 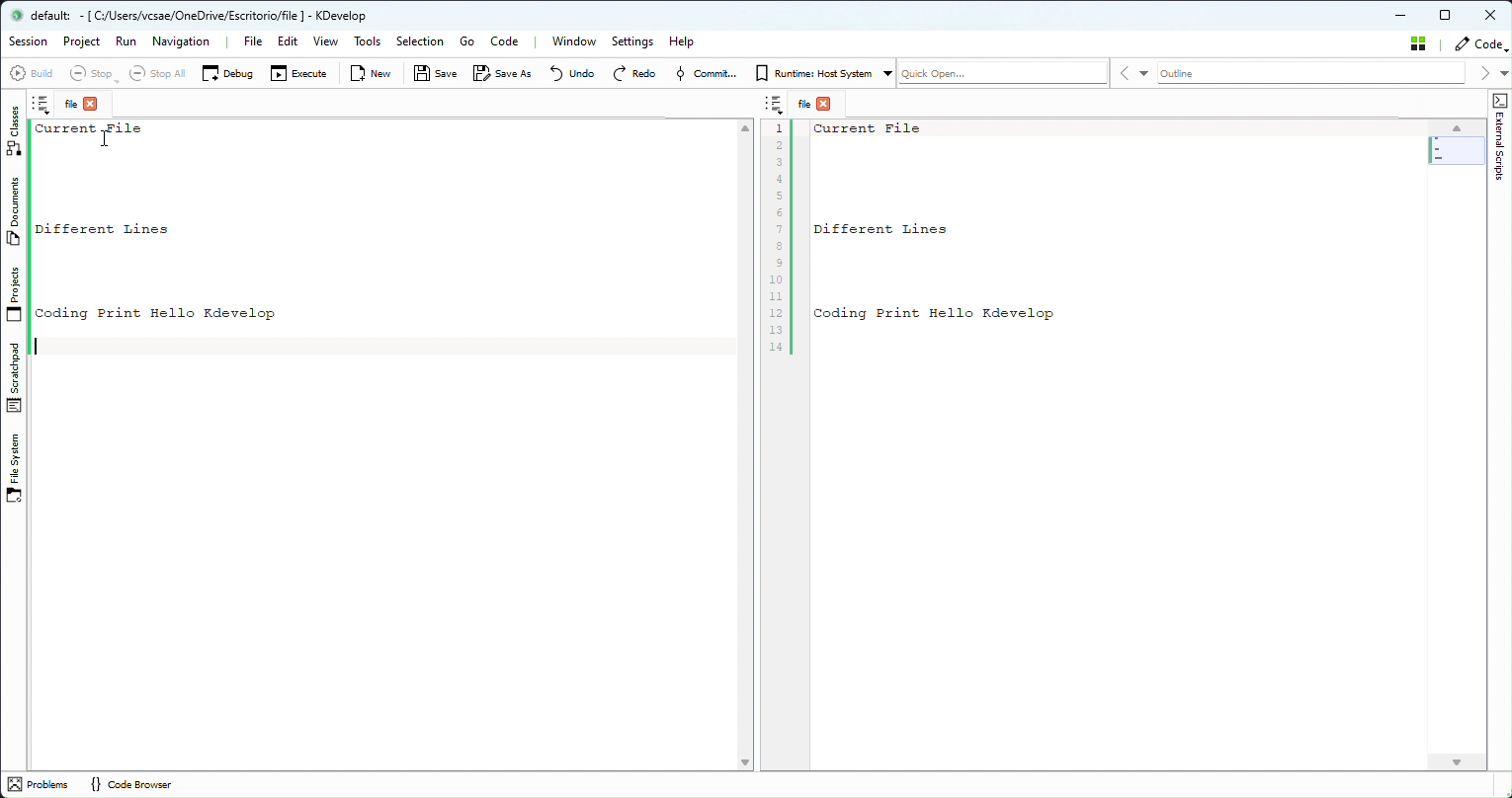 I want to click on File, so click(x=83, y=105).